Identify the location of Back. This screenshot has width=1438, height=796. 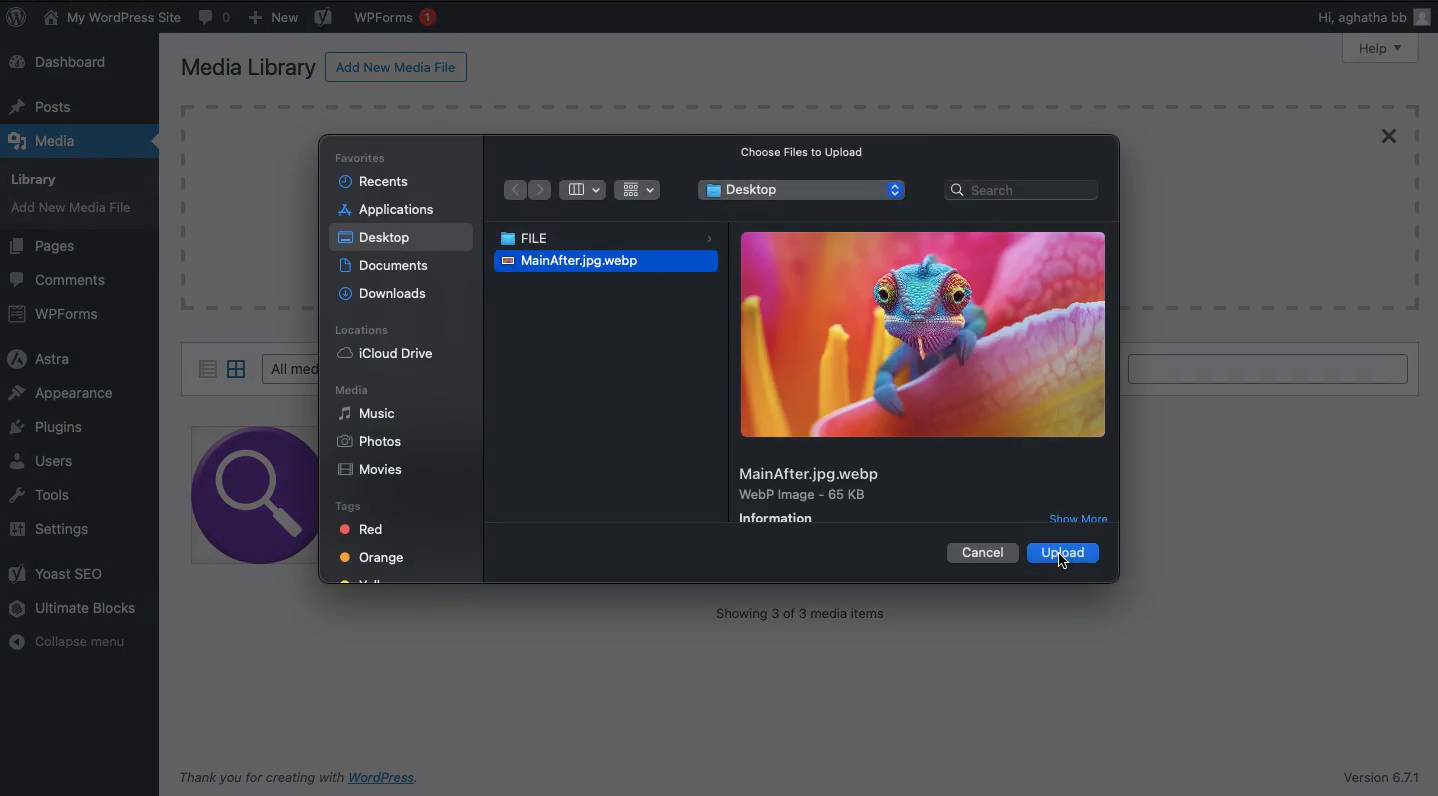
(516, 191).